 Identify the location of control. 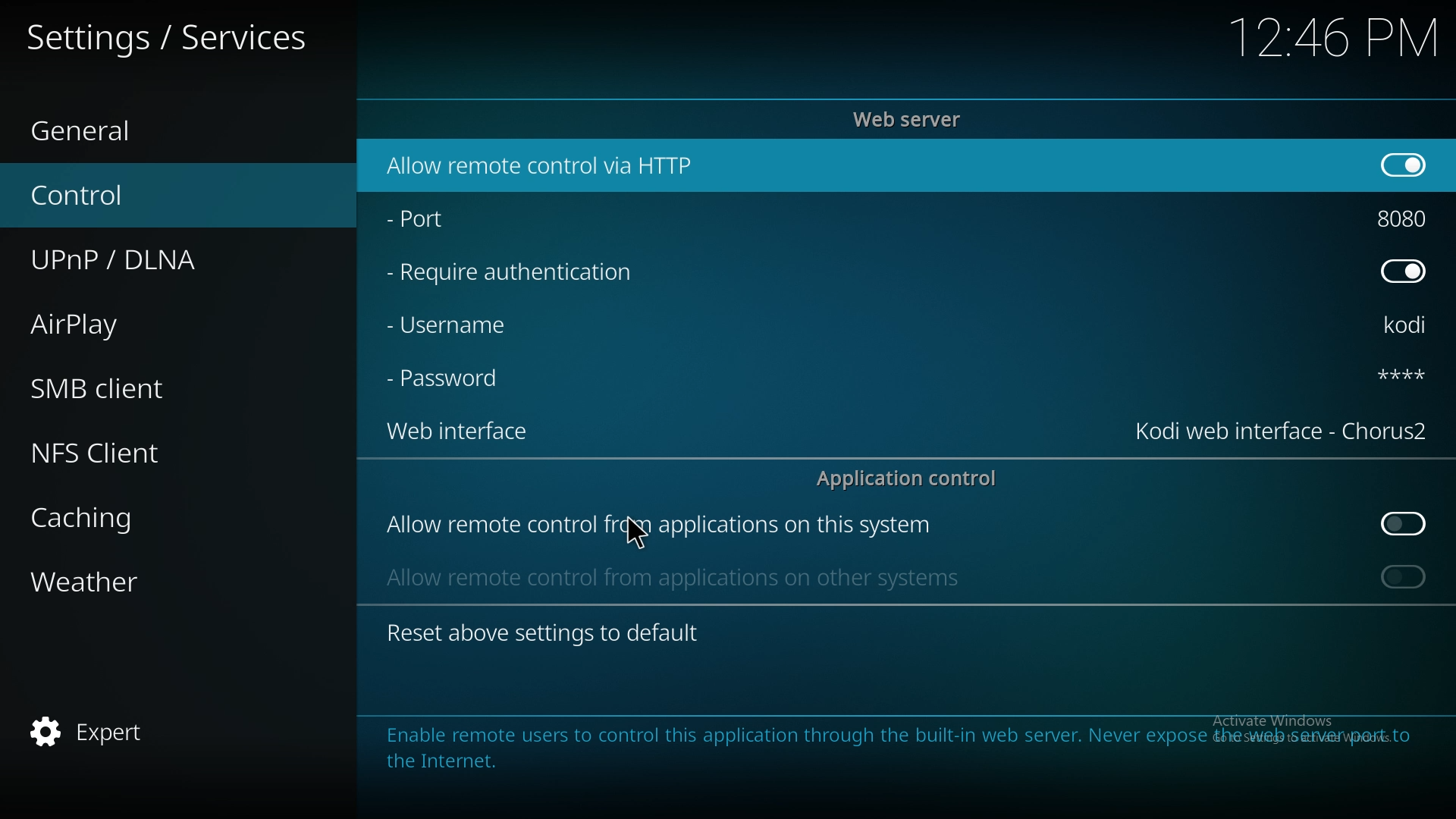
(146, 193).